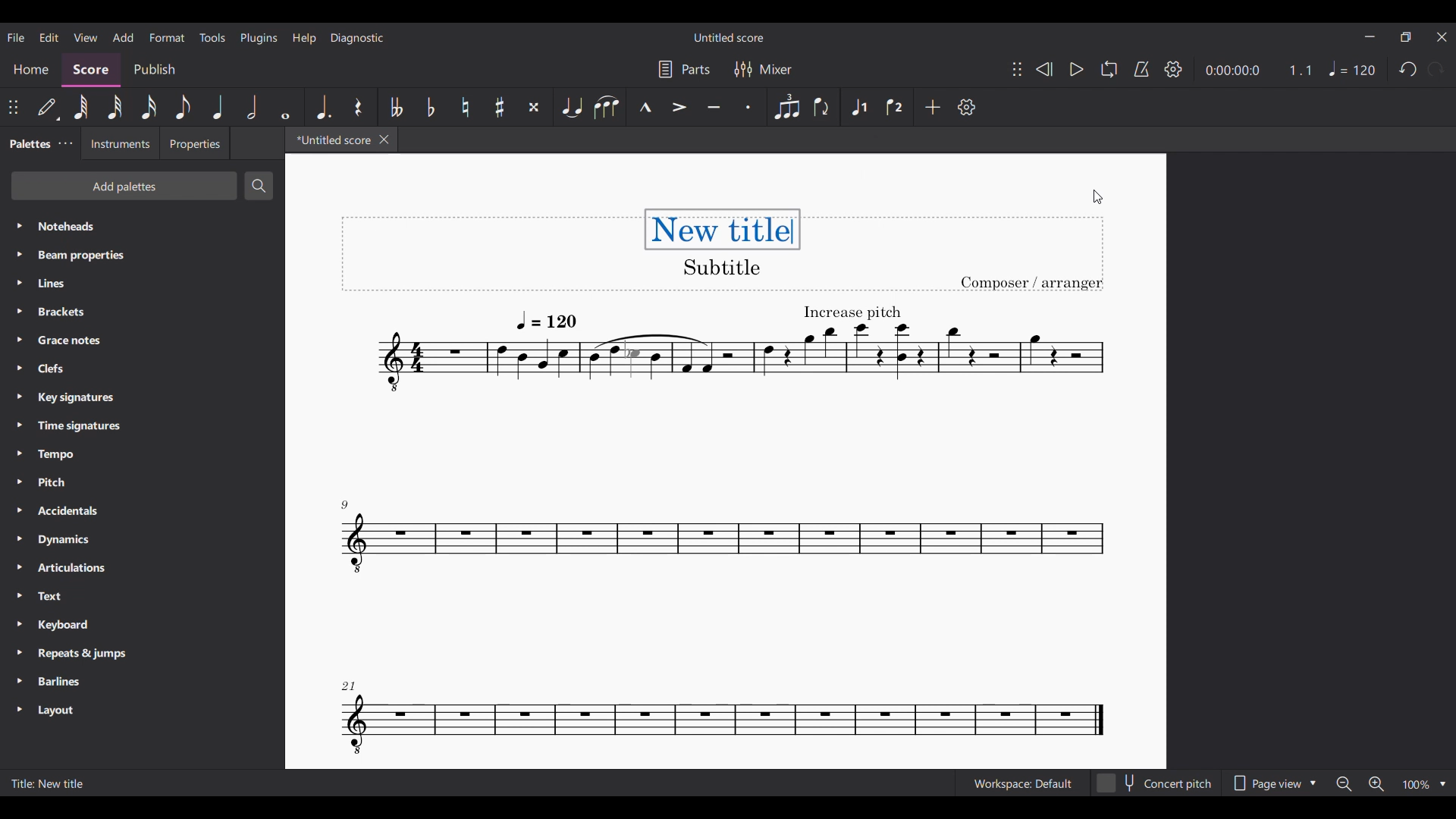  I want to click on Add palettes, so click(125, 186).